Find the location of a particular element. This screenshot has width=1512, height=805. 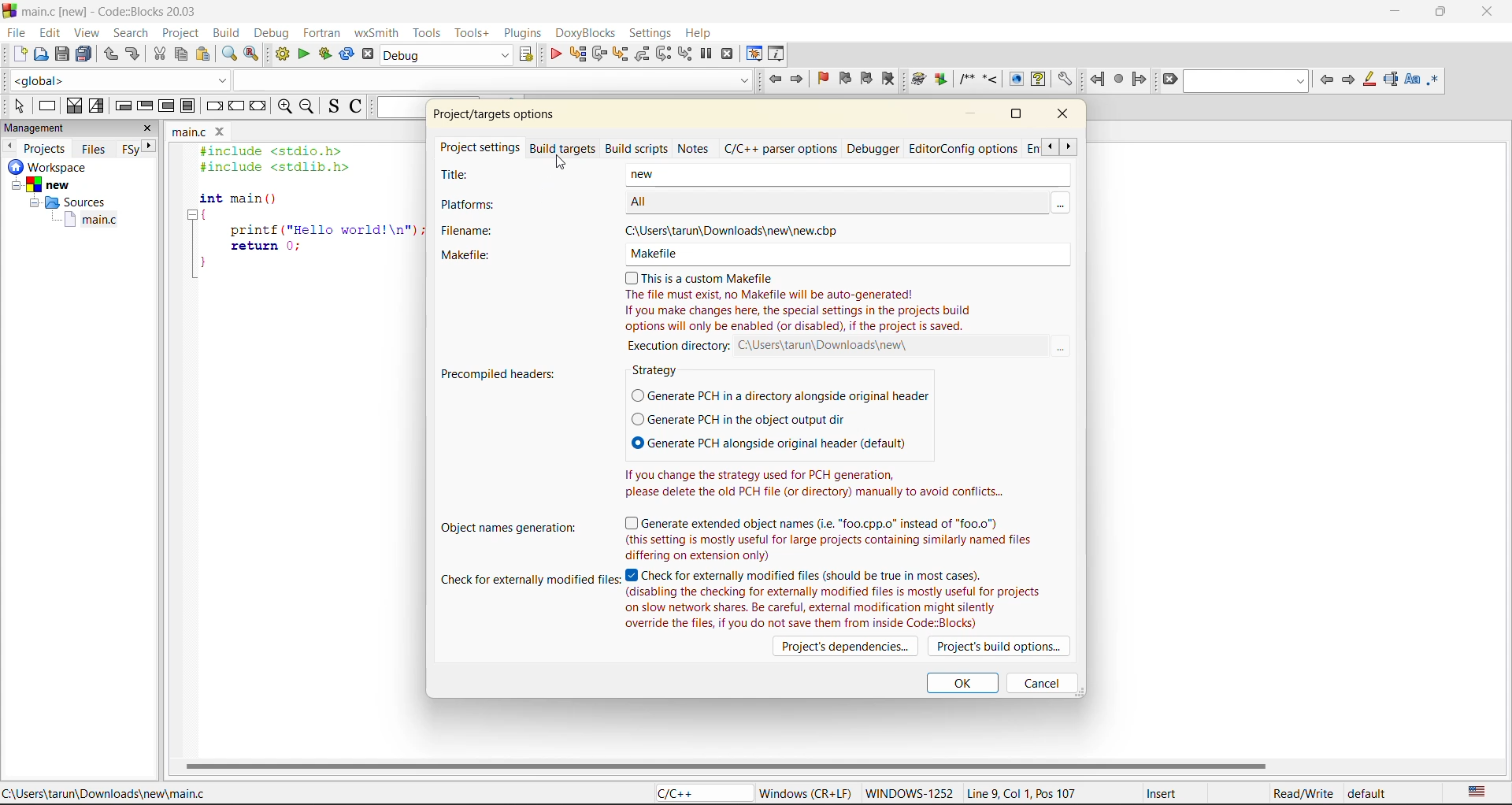

previous bookmark is located at coordinates (846, 79).